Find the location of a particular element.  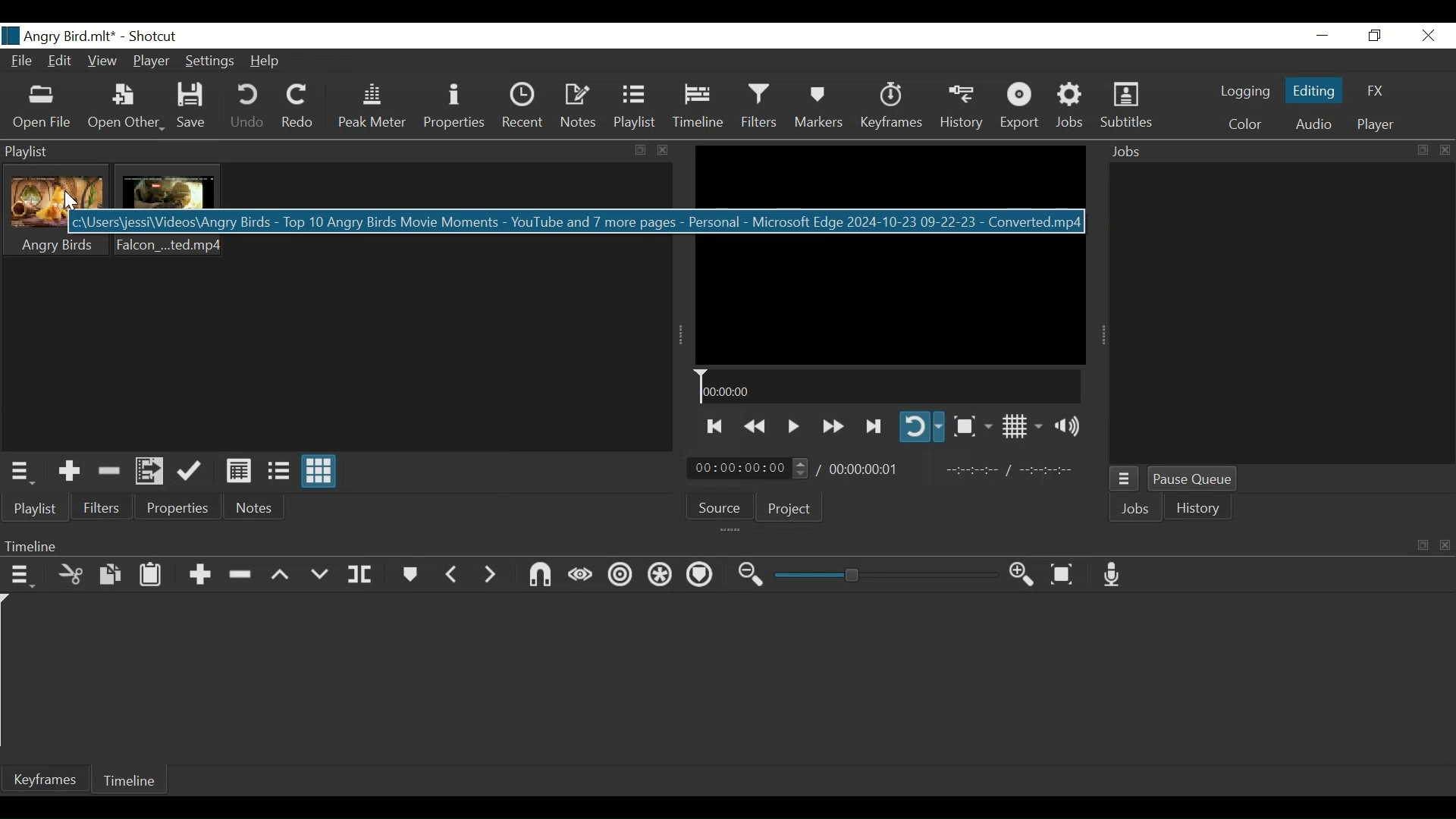

Total Duration is located at coordinates (870, 469).